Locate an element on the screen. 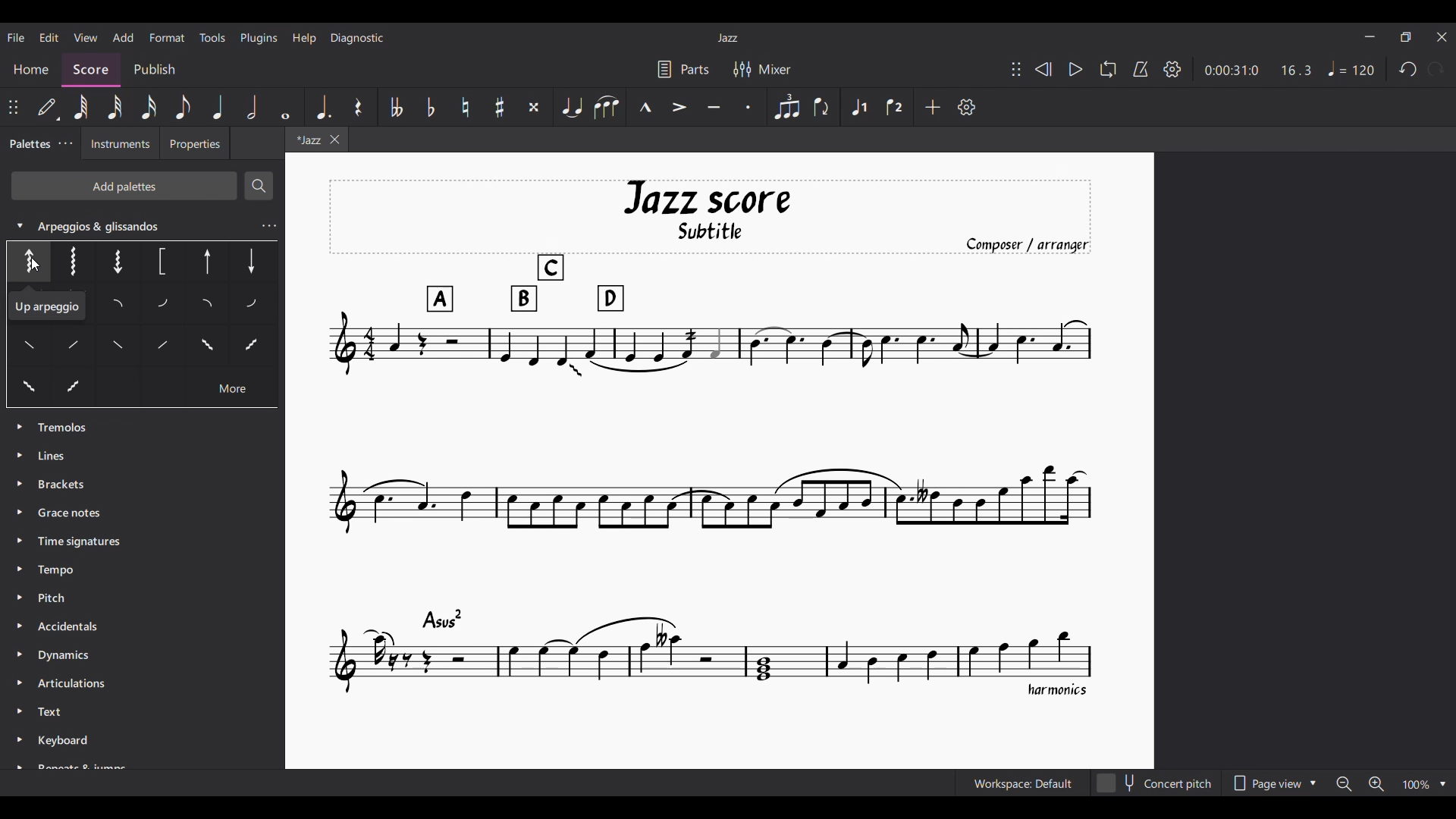 The image size is (1456, 819). Expand is located at coordinates (17, 594).